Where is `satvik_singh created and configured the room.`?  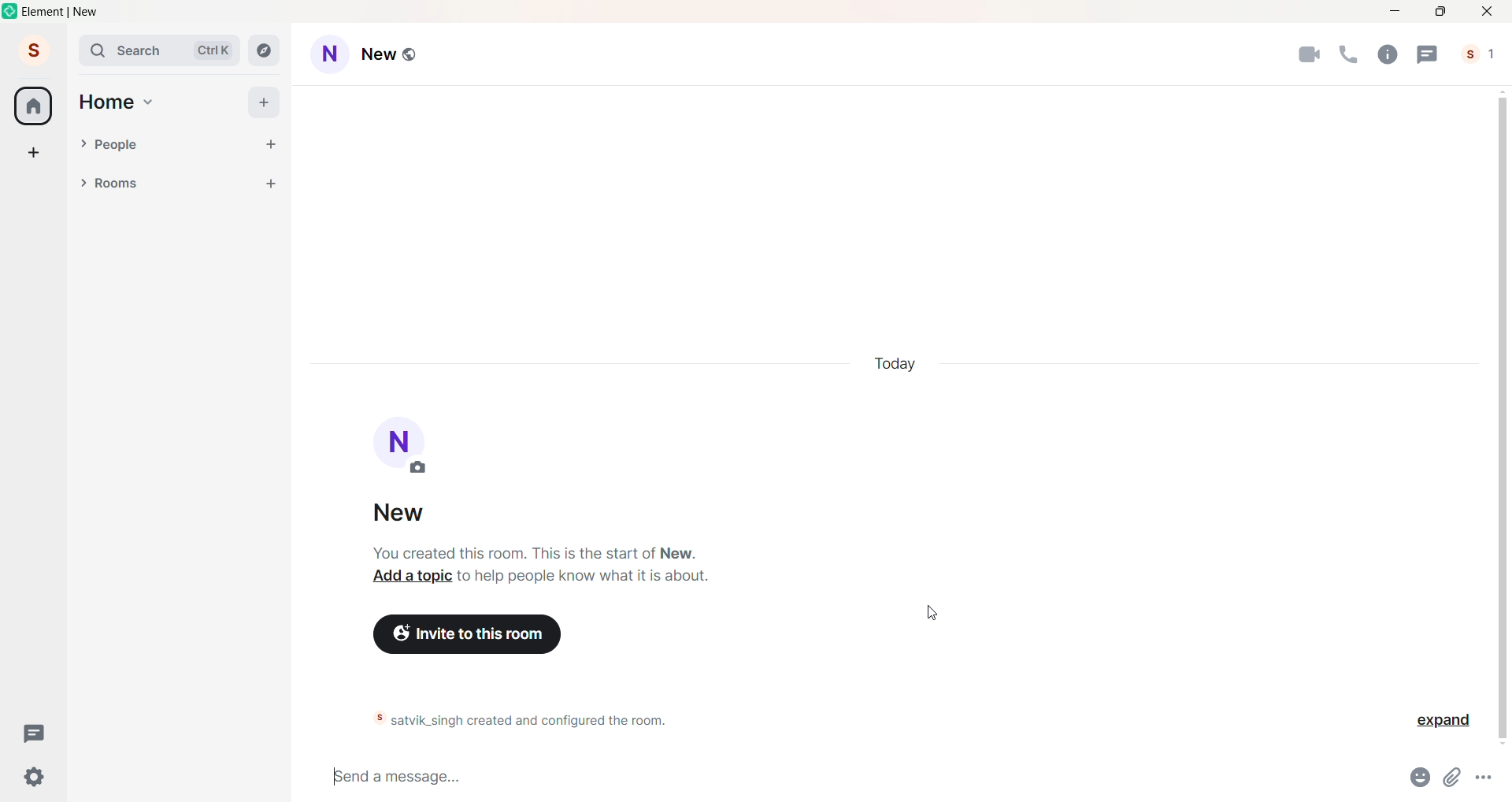
satvik_singh created and configured the room. is located at coordinates (513, 721).